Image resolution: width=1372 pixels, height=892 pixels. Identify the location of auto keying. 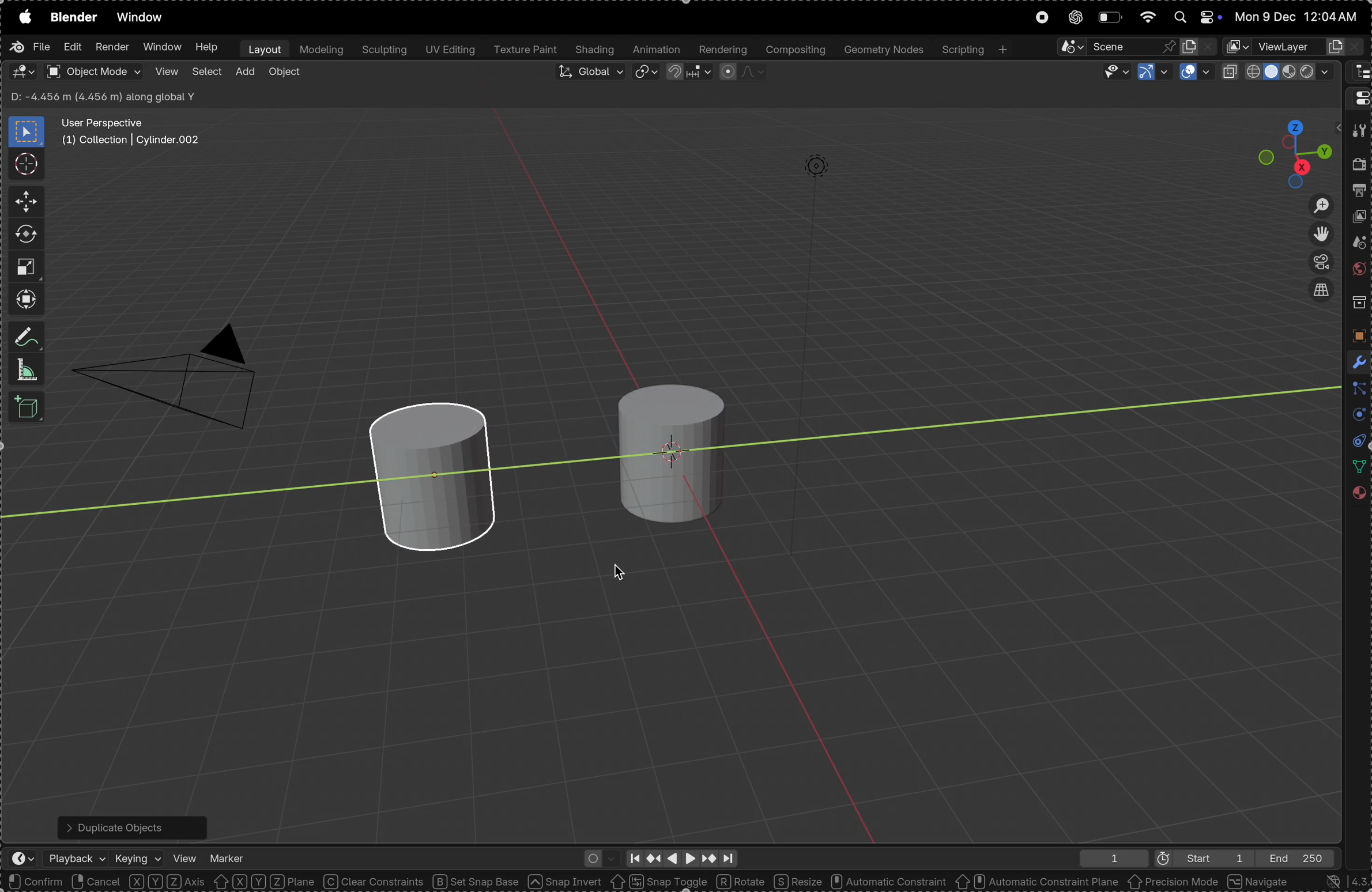
(597, 857).